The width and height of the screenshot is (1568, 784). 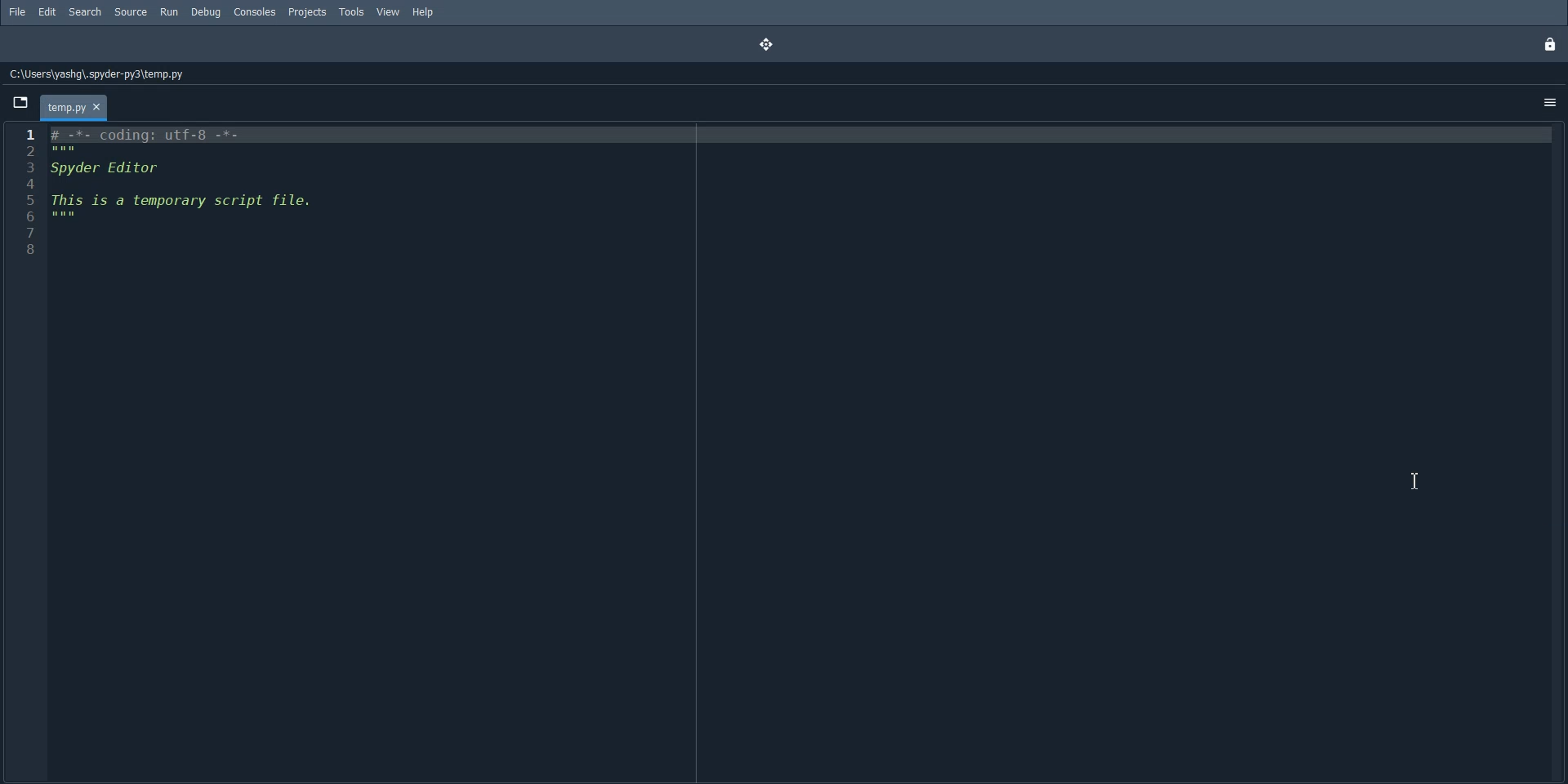 What do you see at coordinates (206, 12) in the screenshot?
I see `Debug` at bounding box center [206, 12].